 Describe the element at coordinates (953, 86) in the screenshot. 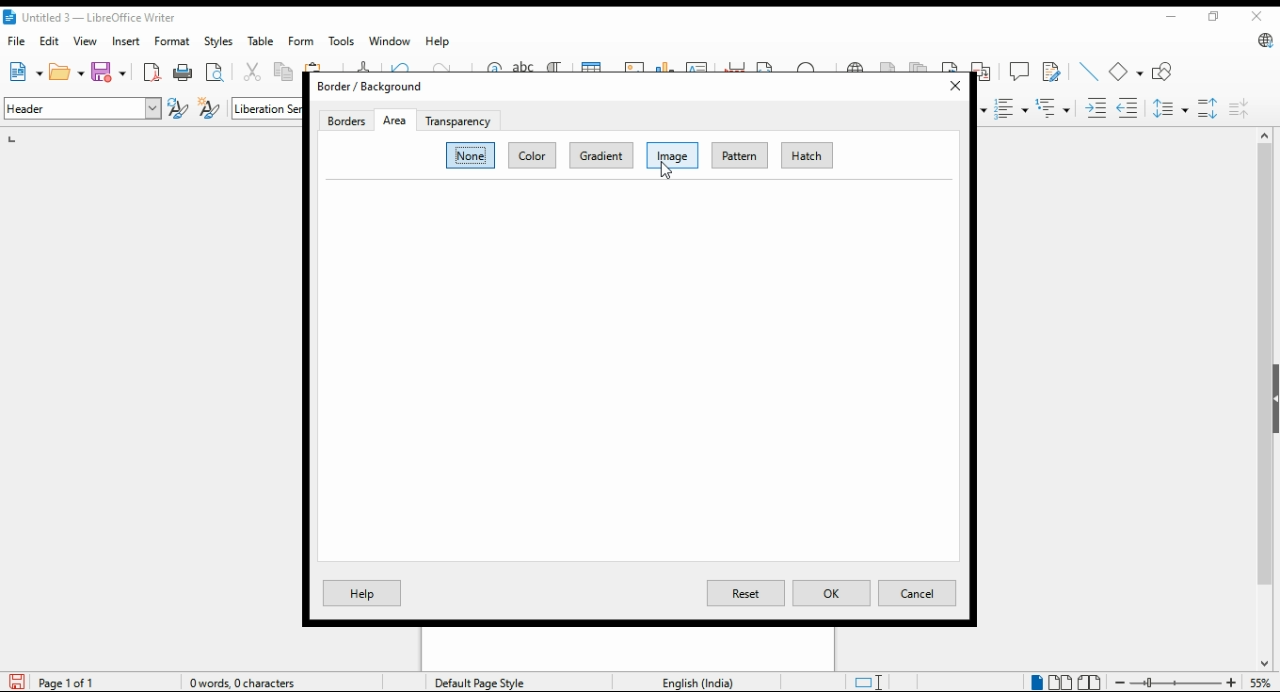

I see `close window` at that location.